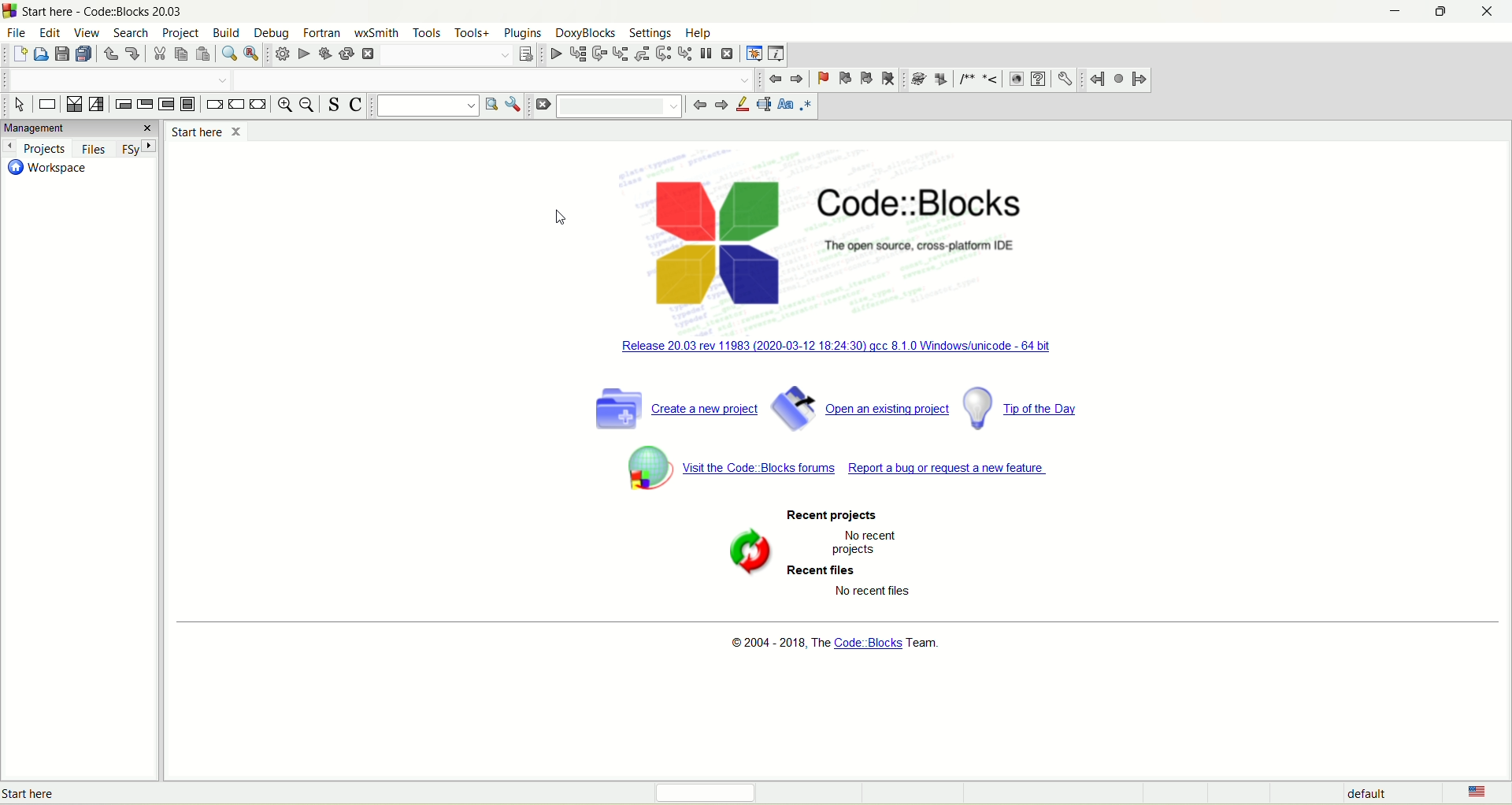 The height and width of the screenshot is (805, 1512). I want to click on recent files, so click(826, 569).